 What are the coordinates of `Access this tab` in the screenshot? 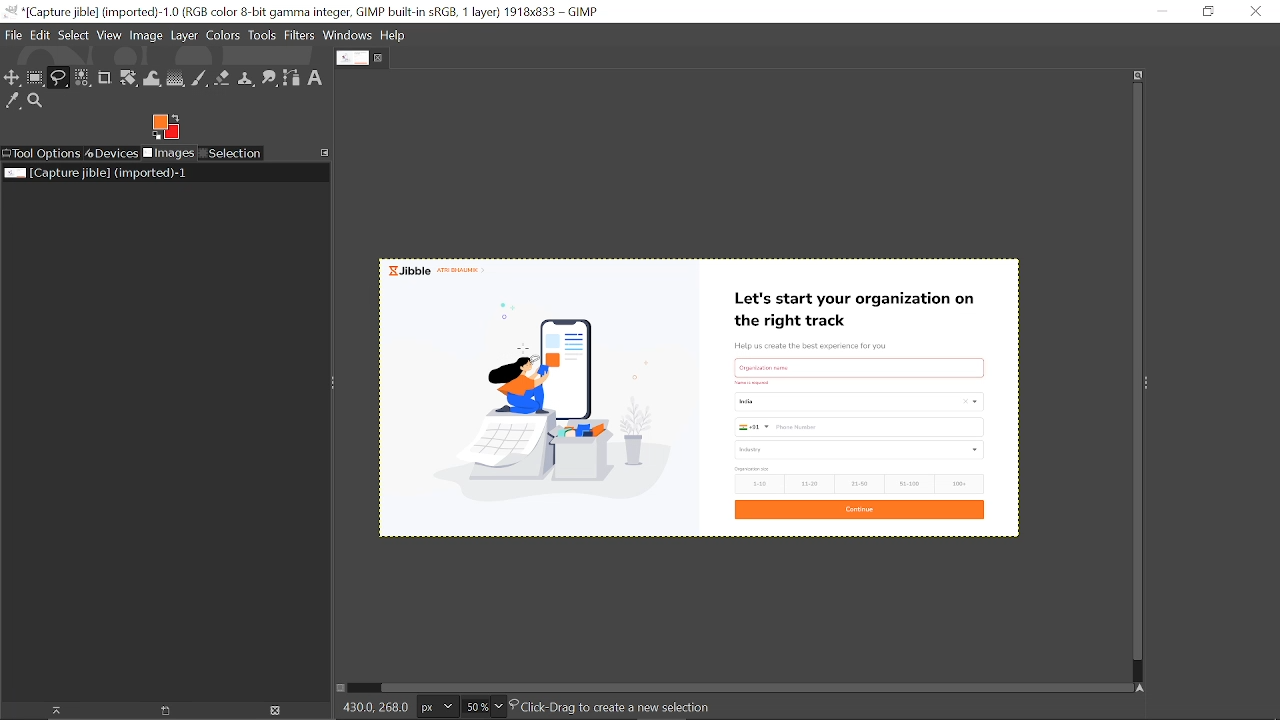 It's located at (326, 152).